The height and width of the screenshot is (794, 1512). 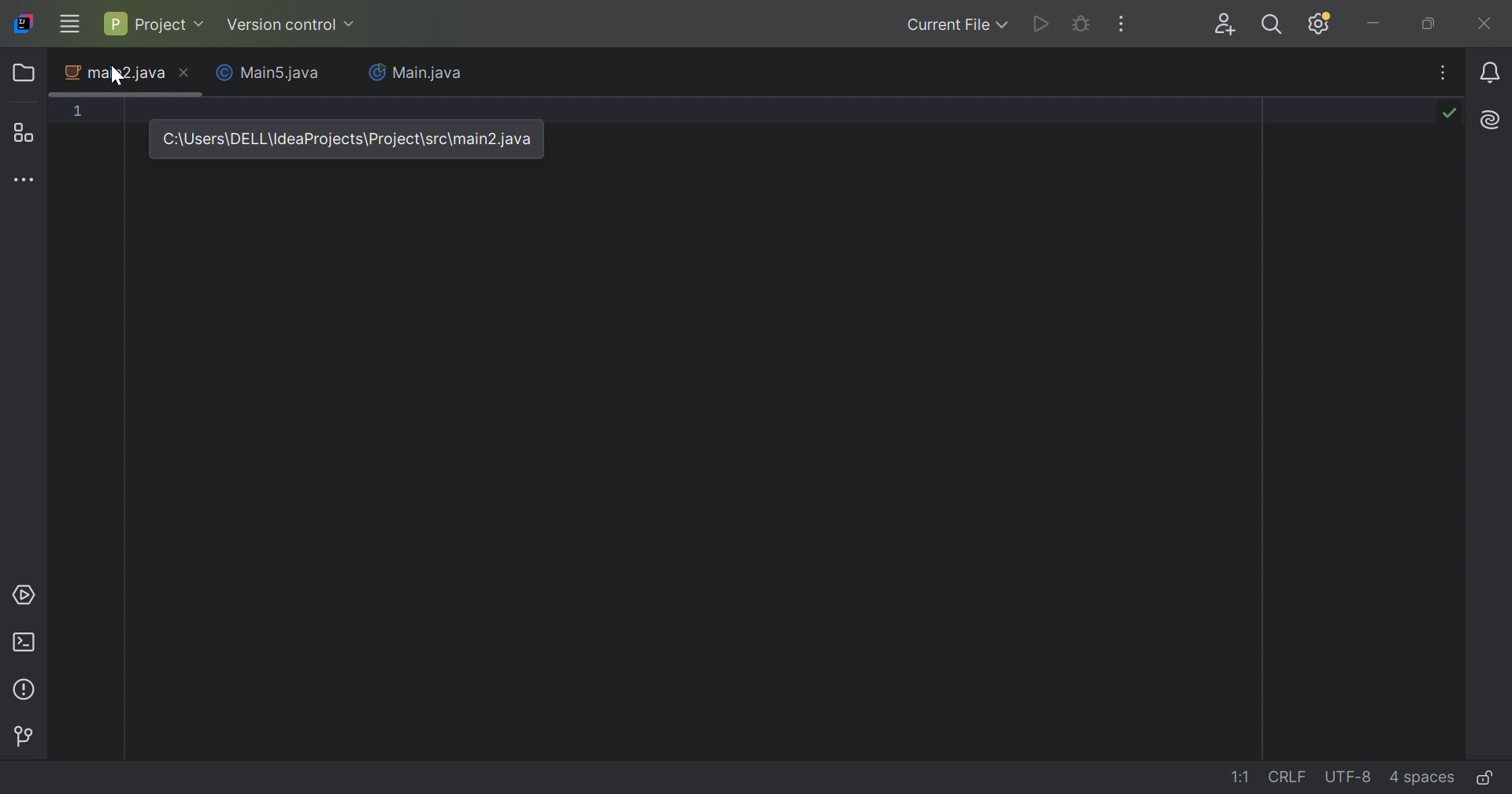 What do you see at coordinates (1346, 777) in the screenshot?
I see `file encoding: UTF-8` at bounding box center [1346, 777].